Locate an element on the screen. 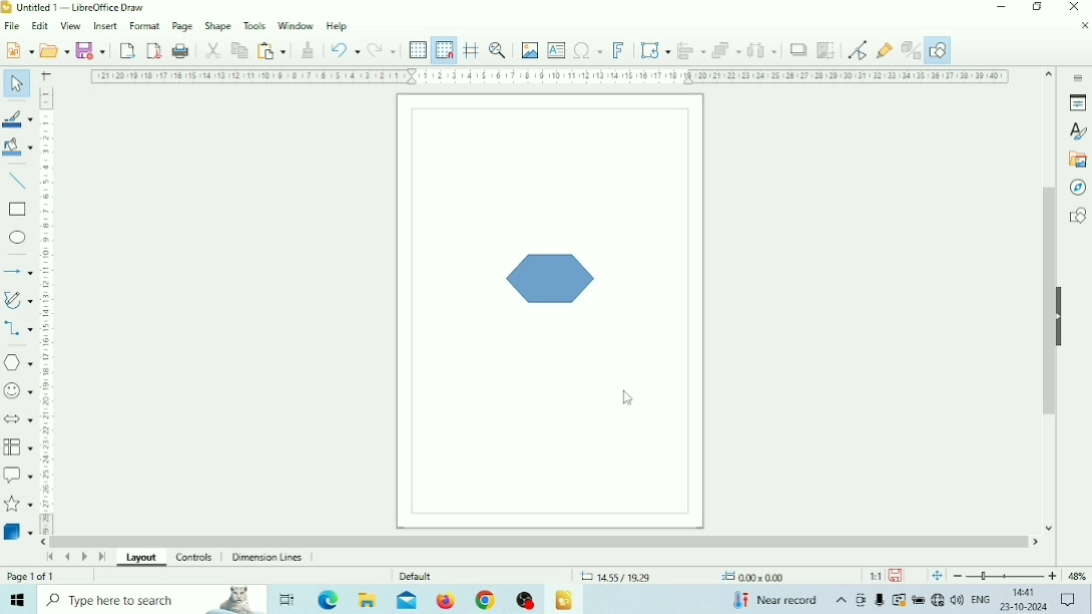  Insert Special Characters is located at coordinates (588, 50).